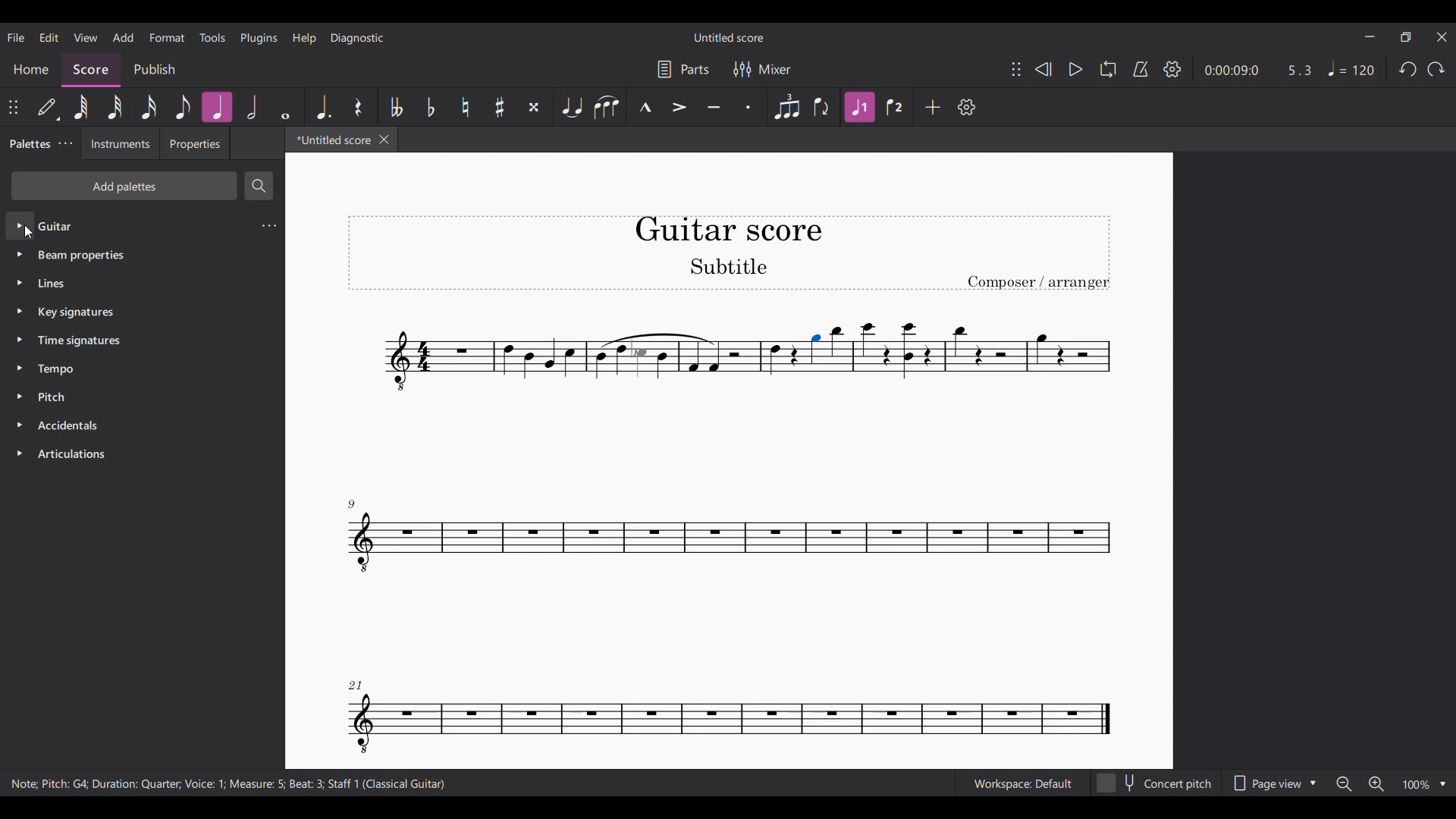 The width and height of the screenshot is (1456, 819). What do you see at coordinates (79, 340) in the screenshot?
I see `Time signatures palette` at bounding box center [79, 340].